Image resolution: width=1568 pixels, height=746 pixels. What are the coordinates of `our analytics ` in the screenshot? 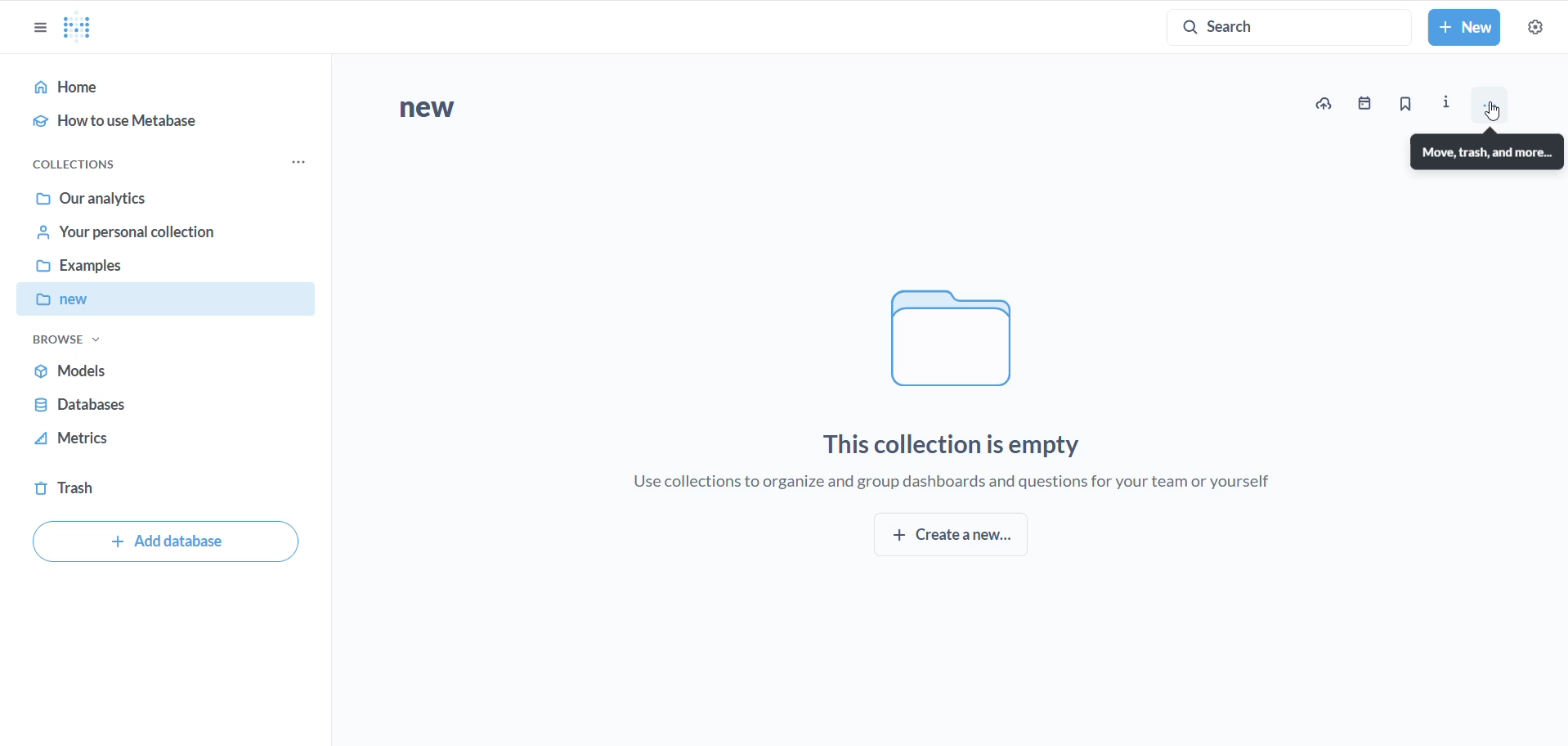 It's located at (154, 197).